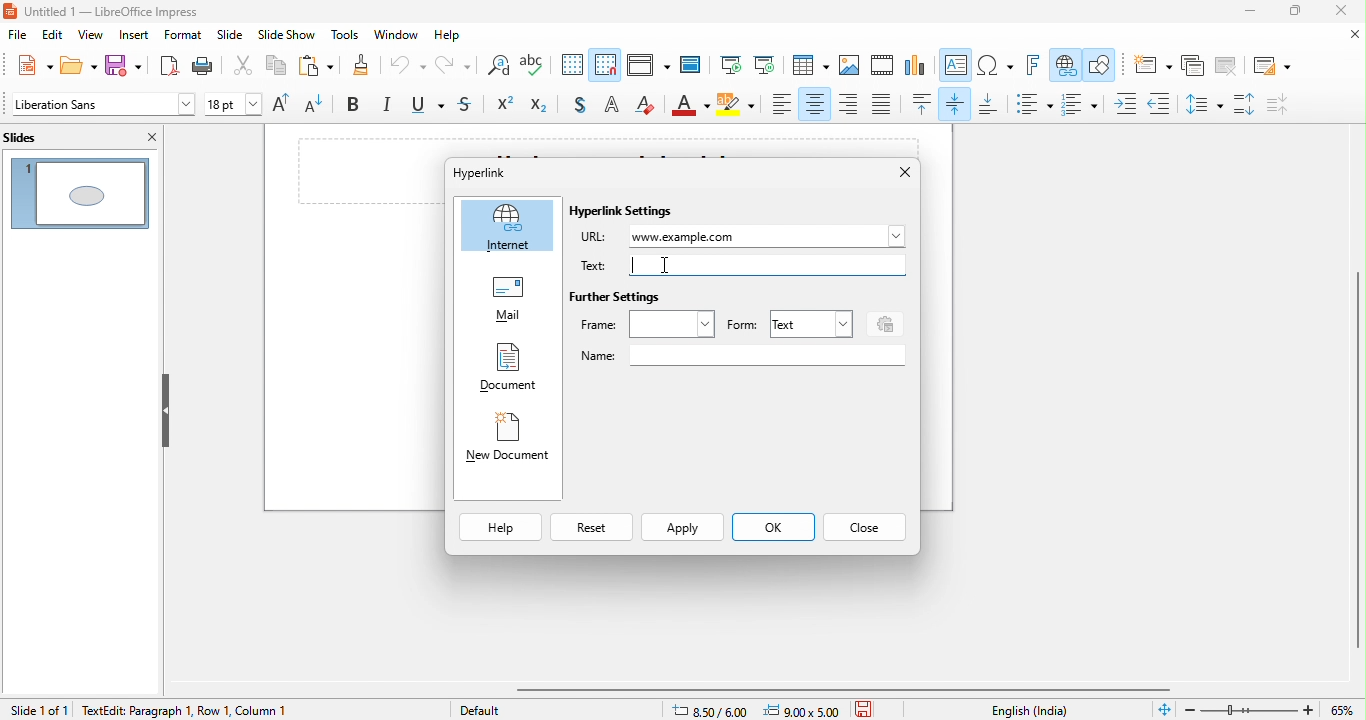  What do you see at coordinates (1083, 104) in the screenshot?
I see `toggle ordered list` at bounding box center [1083, 104].